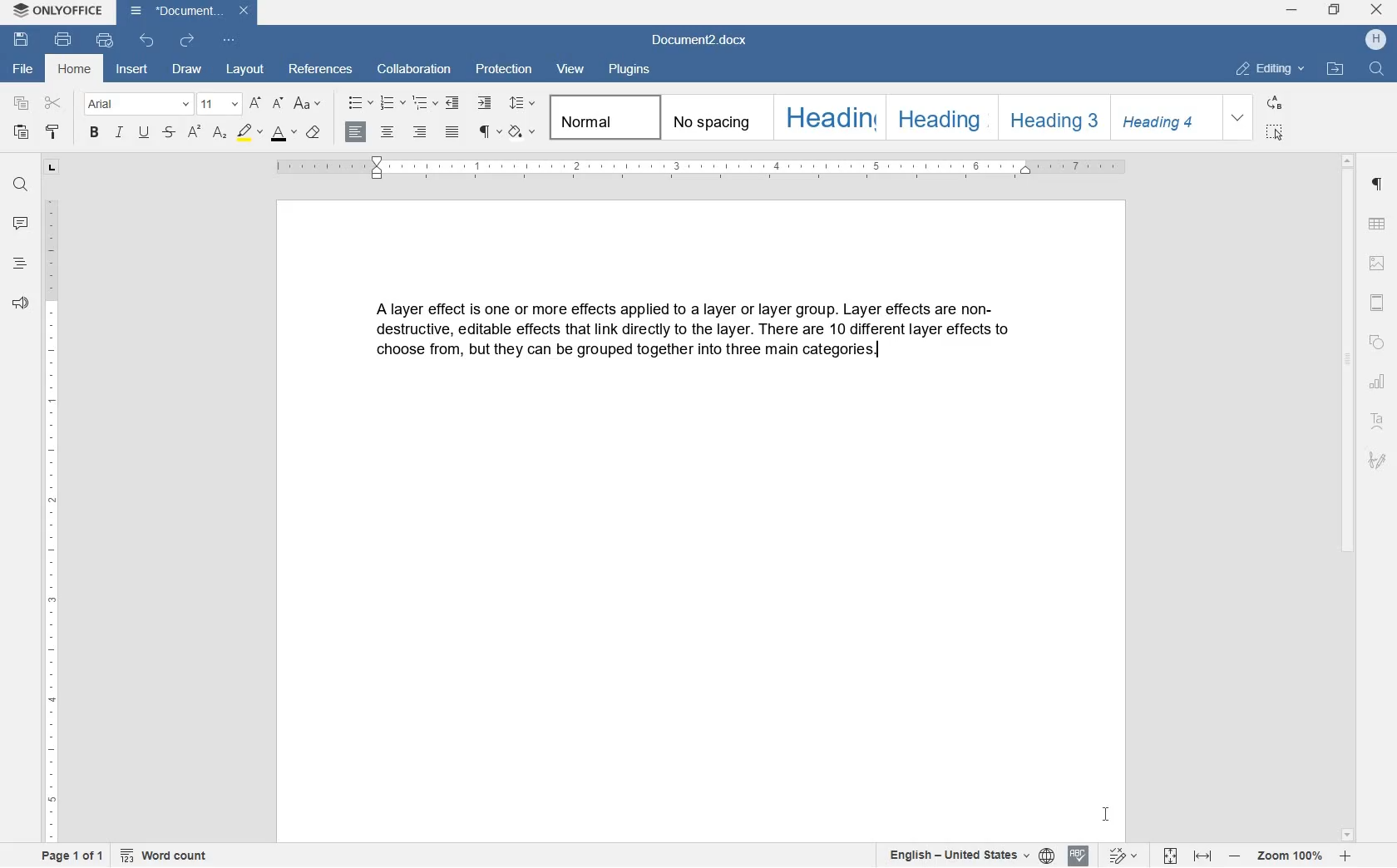  I want to click on SUPERSCRIPT, so click(194, 132).